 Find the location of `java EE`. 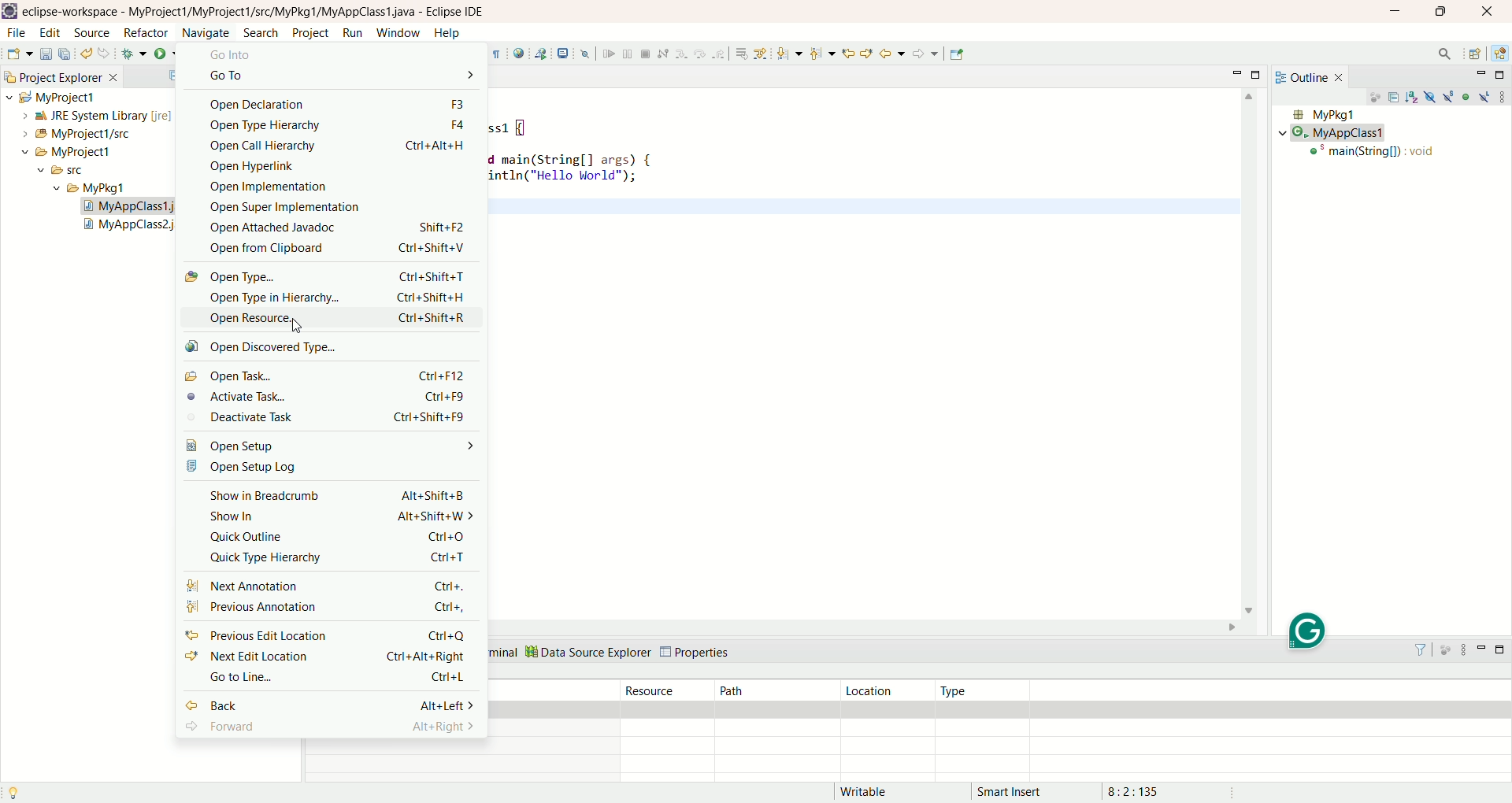

java EE is located at coordinates (1502, 52).